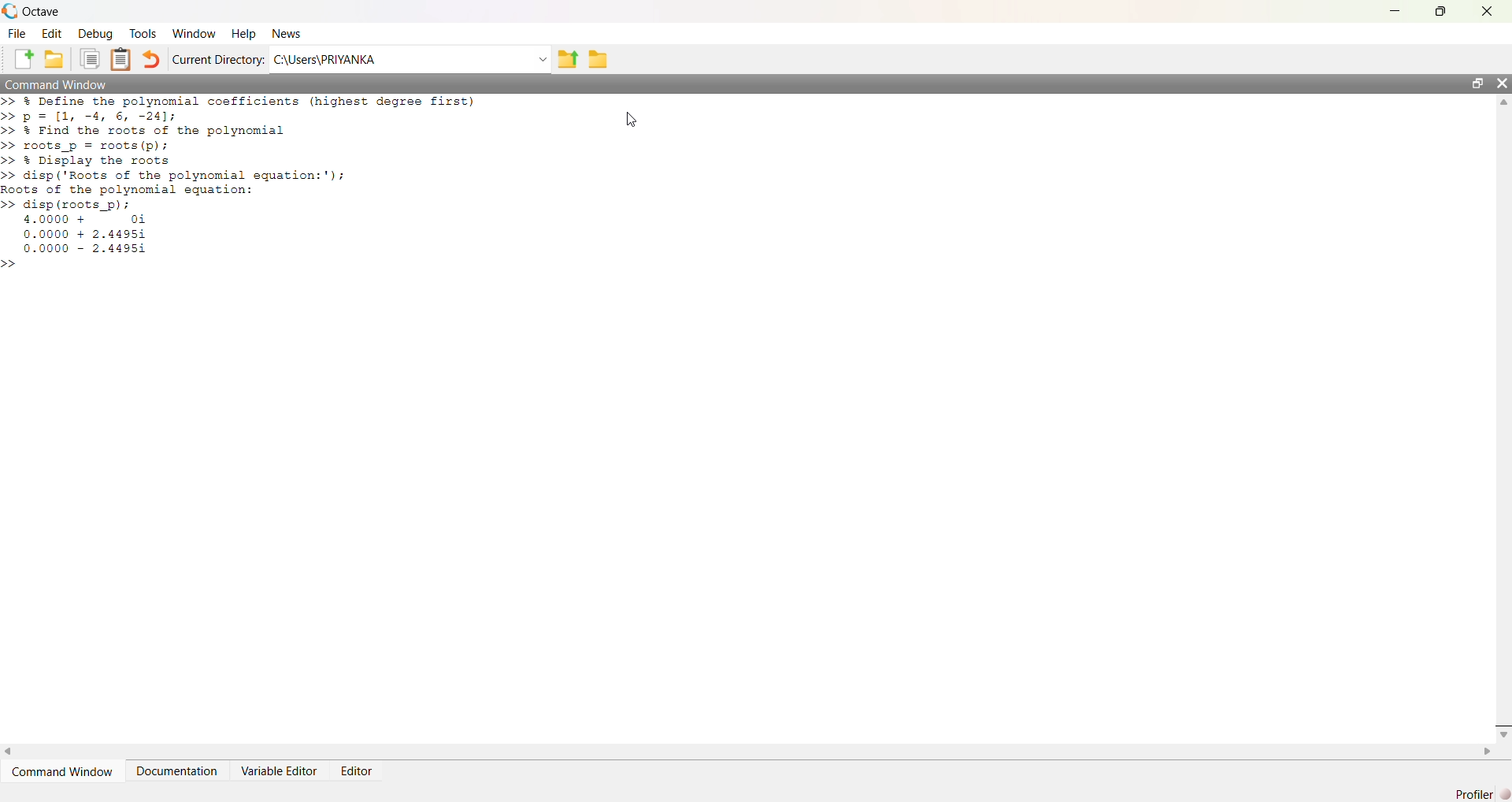 This screenshot has height=802, width=1512. Describe the element at coordinates (146, 35) in the screenshot. I see `Tools` at that location.